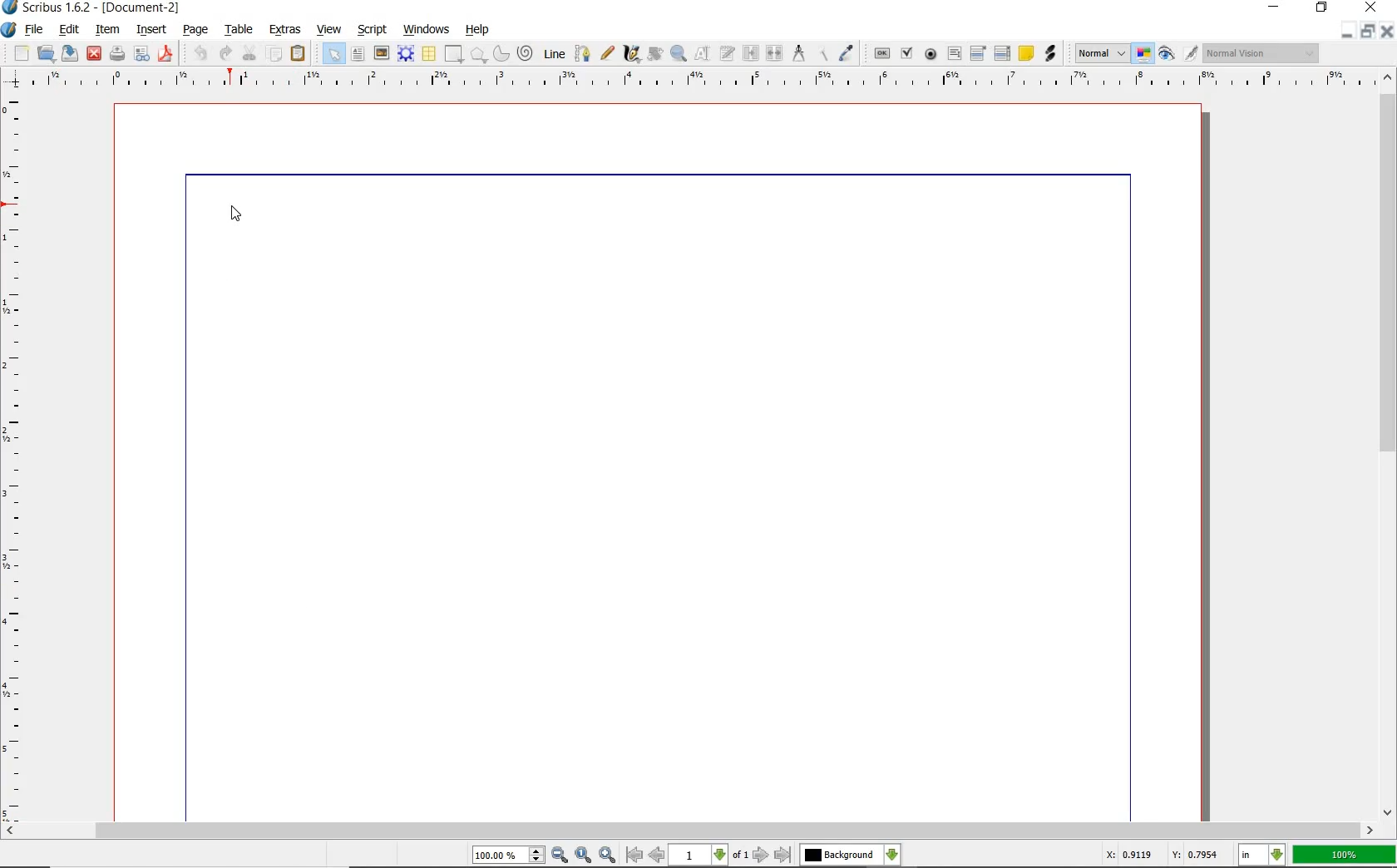  Describe the element at coordinates (772, 54) in the screenshot. I see `unlink text frame` at that location.